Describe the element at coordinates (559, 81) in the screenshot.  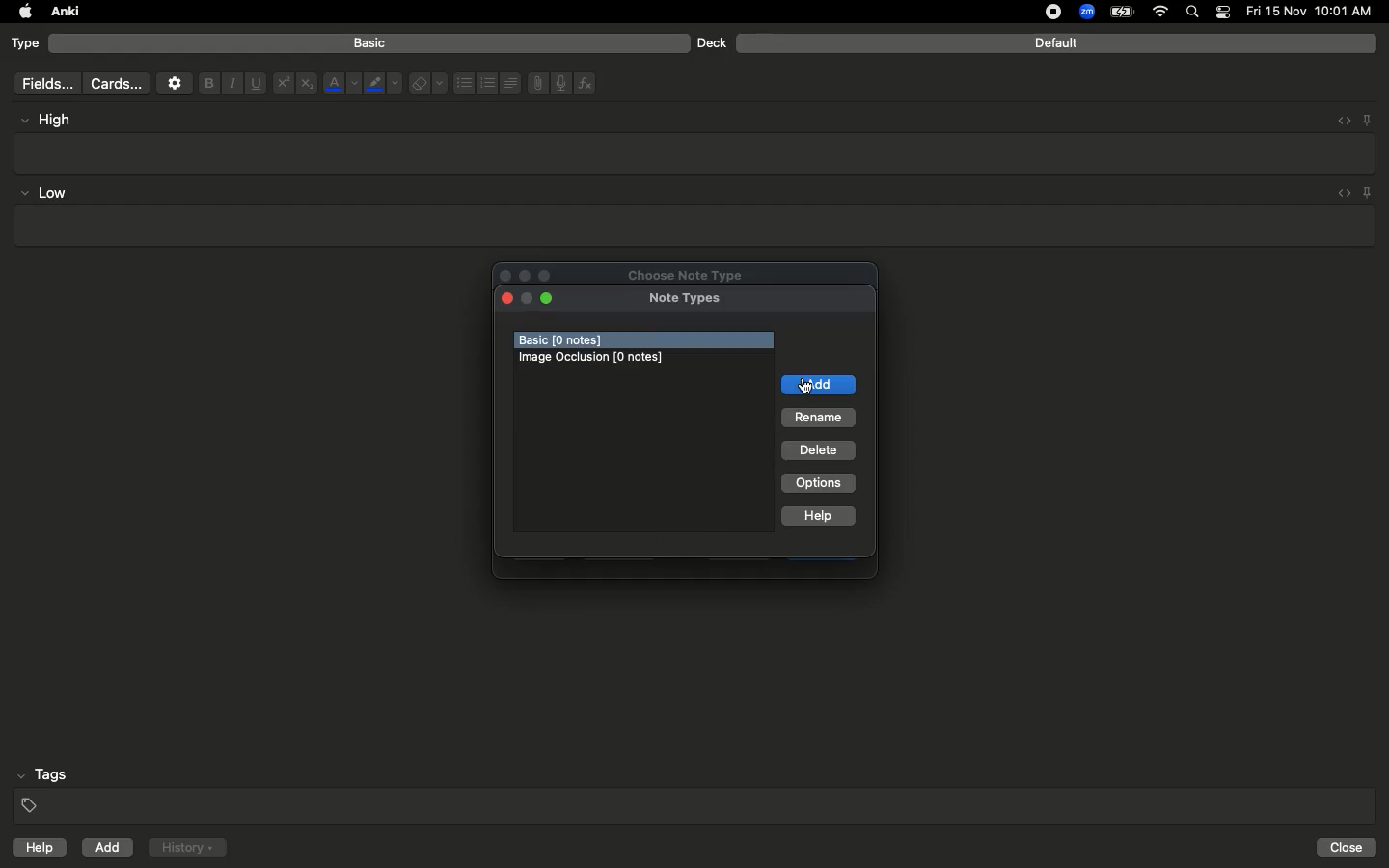
I see `Voice recorder` at that location.